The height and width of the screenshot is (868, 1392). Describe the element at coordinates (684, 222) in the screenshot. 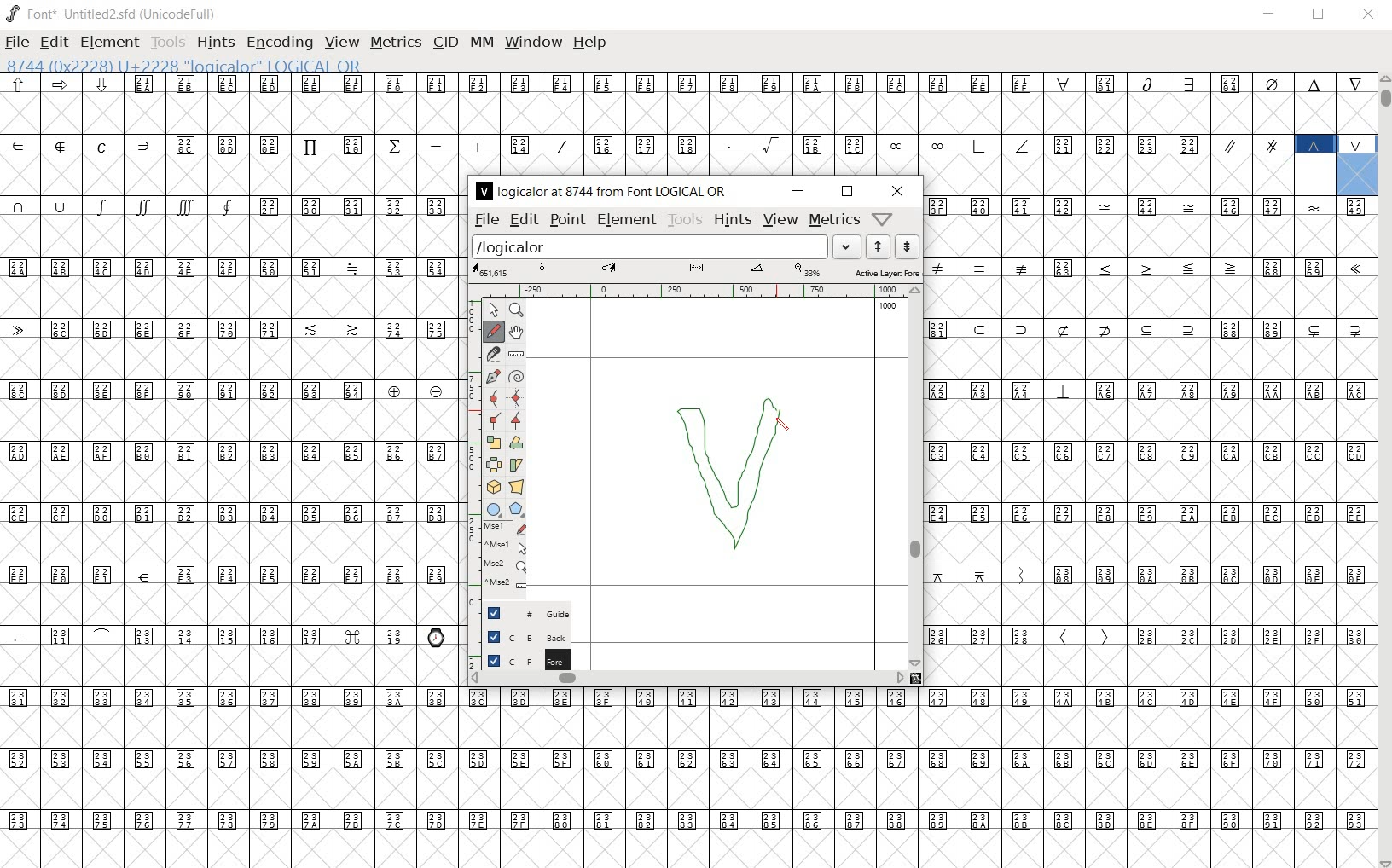

I see `tools` at that location.